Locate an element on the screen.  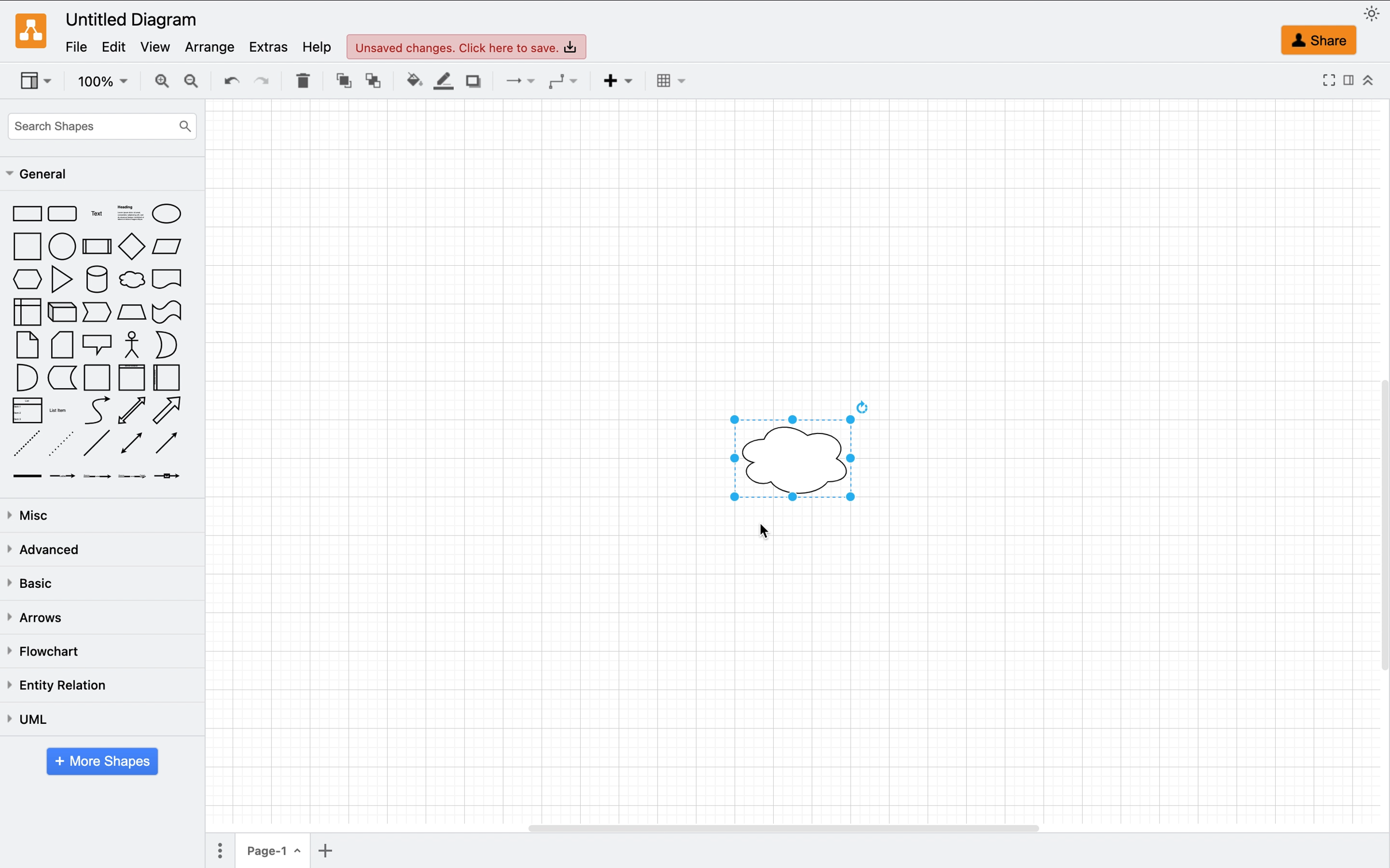
extras is located at coordinates (267, 48).